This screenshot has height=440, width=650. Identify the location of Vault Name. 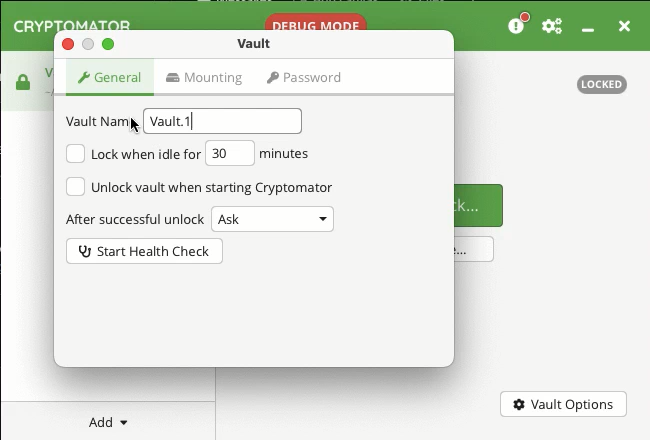
(101, 120).